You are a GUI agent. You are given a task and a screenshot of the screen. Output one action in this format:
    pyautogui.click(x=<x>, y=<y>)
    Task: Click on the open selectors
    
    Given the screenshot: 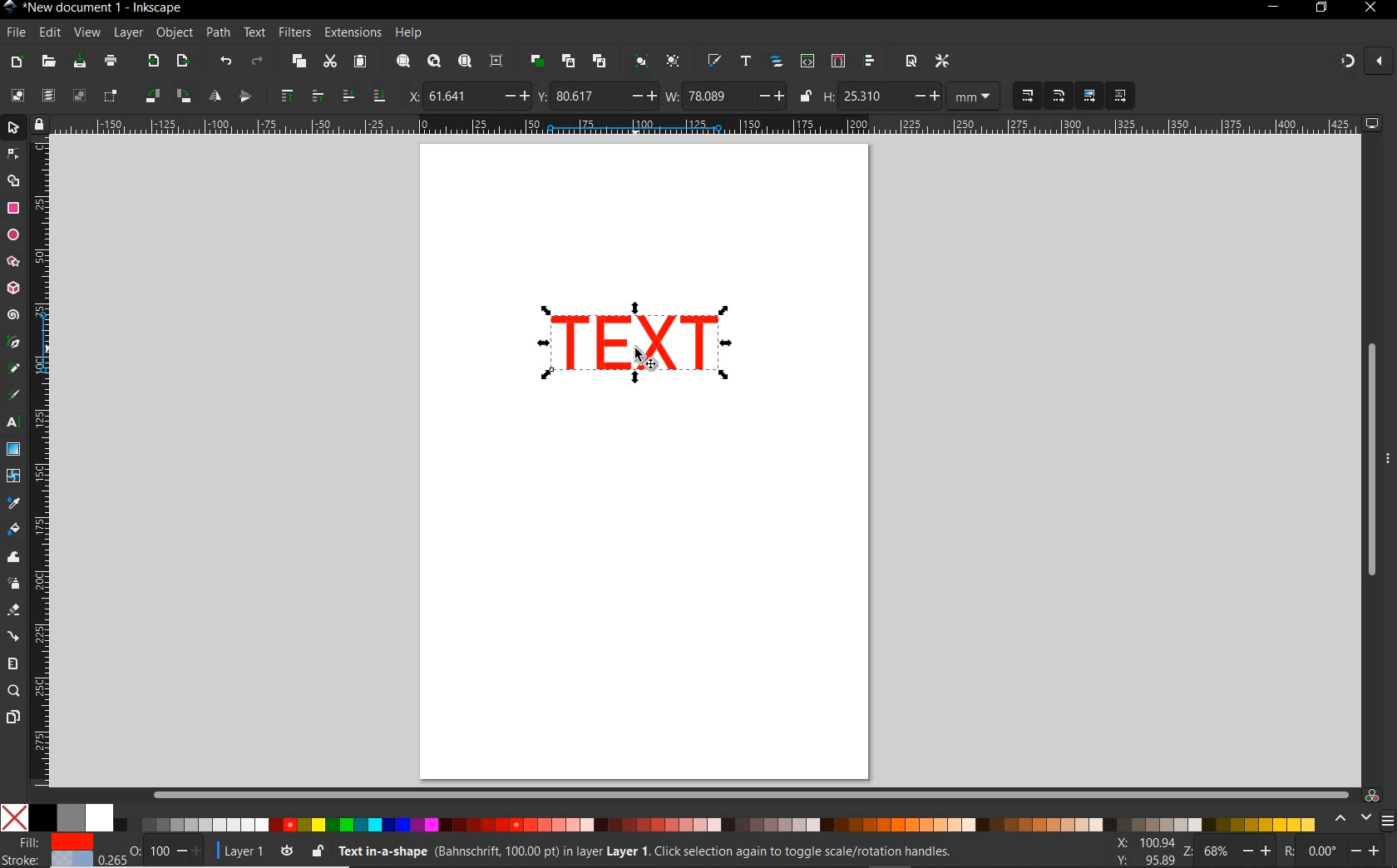 What is the action you would take?
    pyautogui.click(x=837, y=62)
    